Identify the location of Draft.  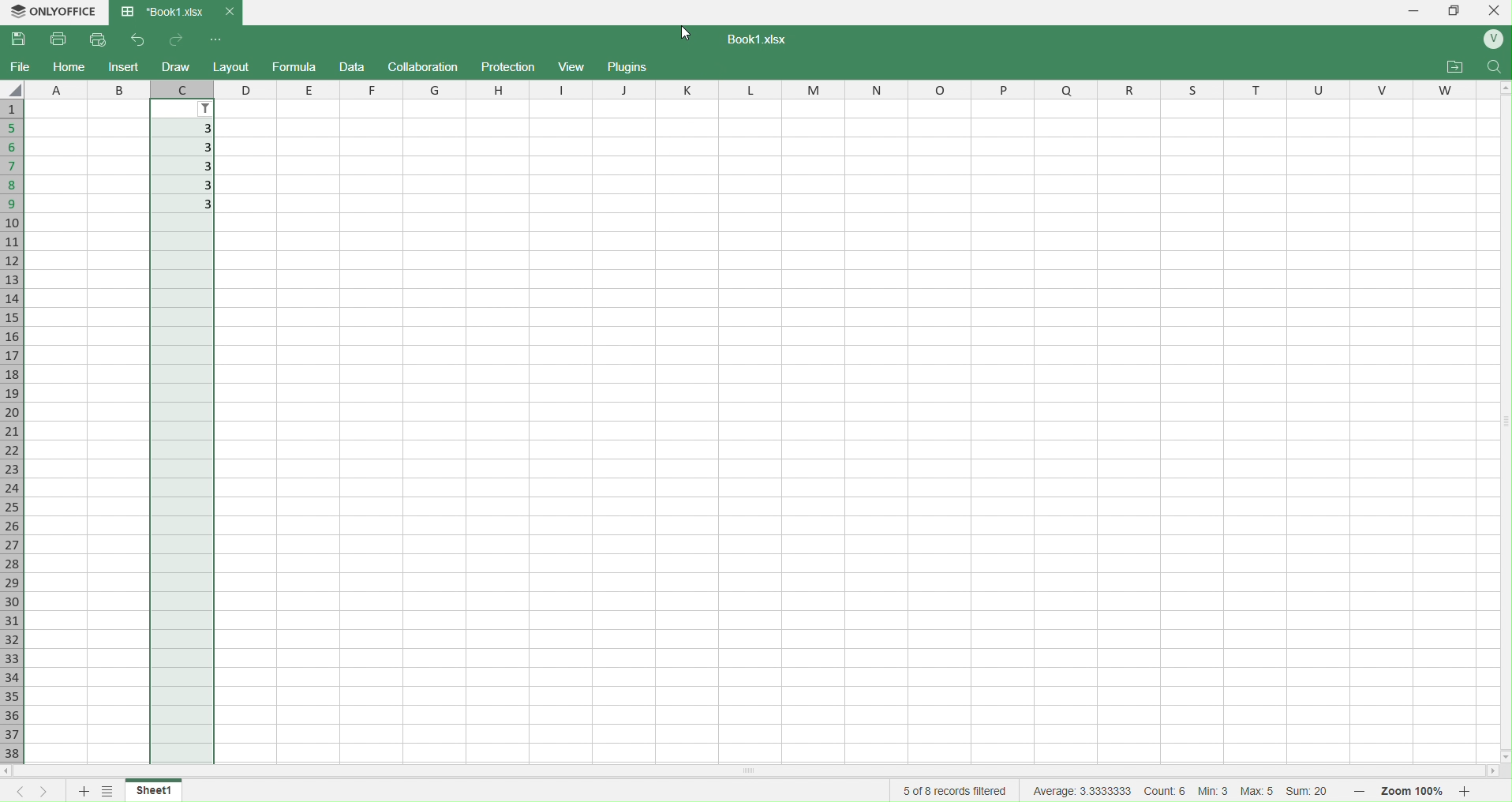
(351, 67).